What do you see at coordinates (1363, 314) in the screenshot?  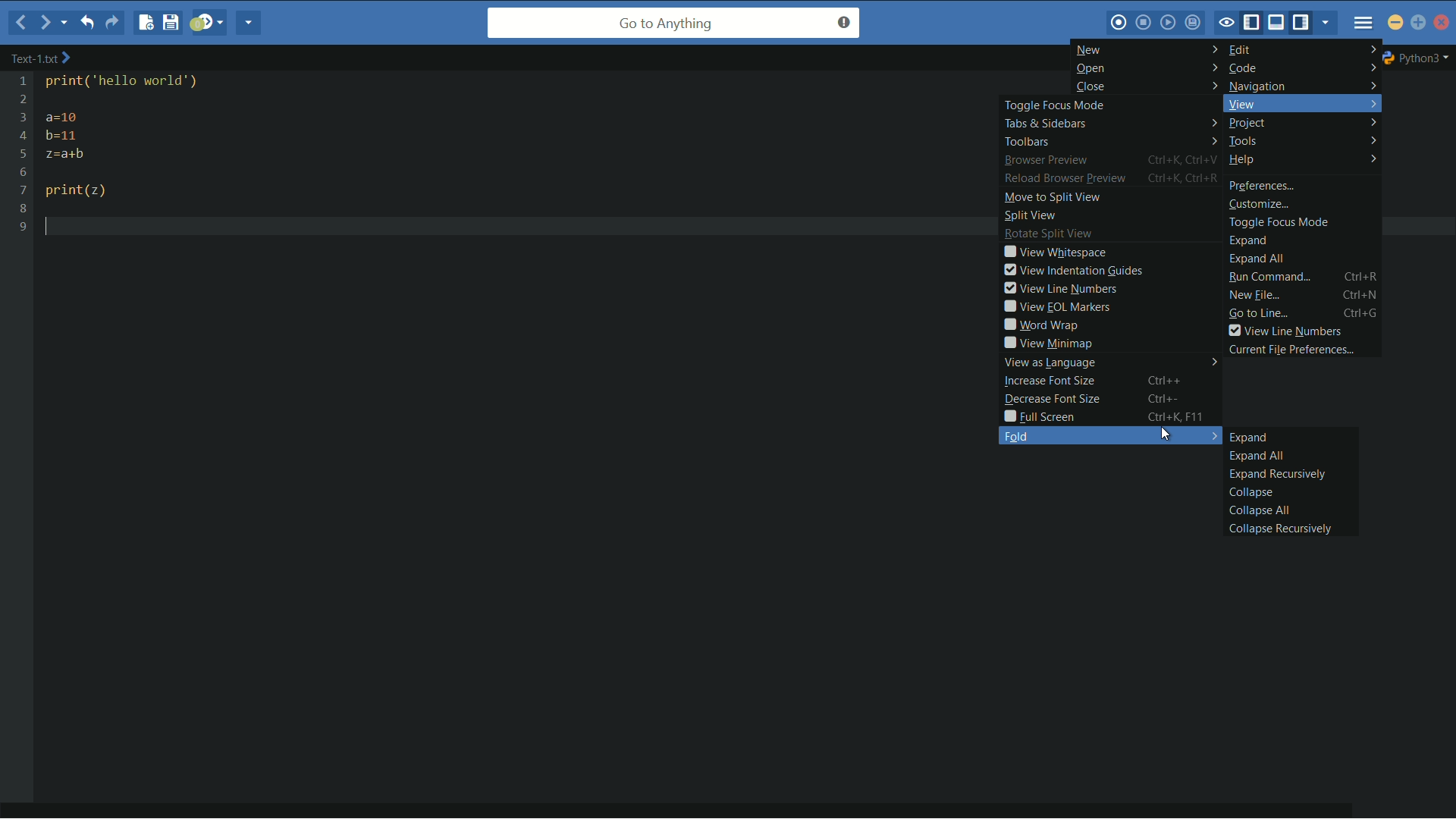 I see `ctrl+G` at bounding box center [1363, 314].